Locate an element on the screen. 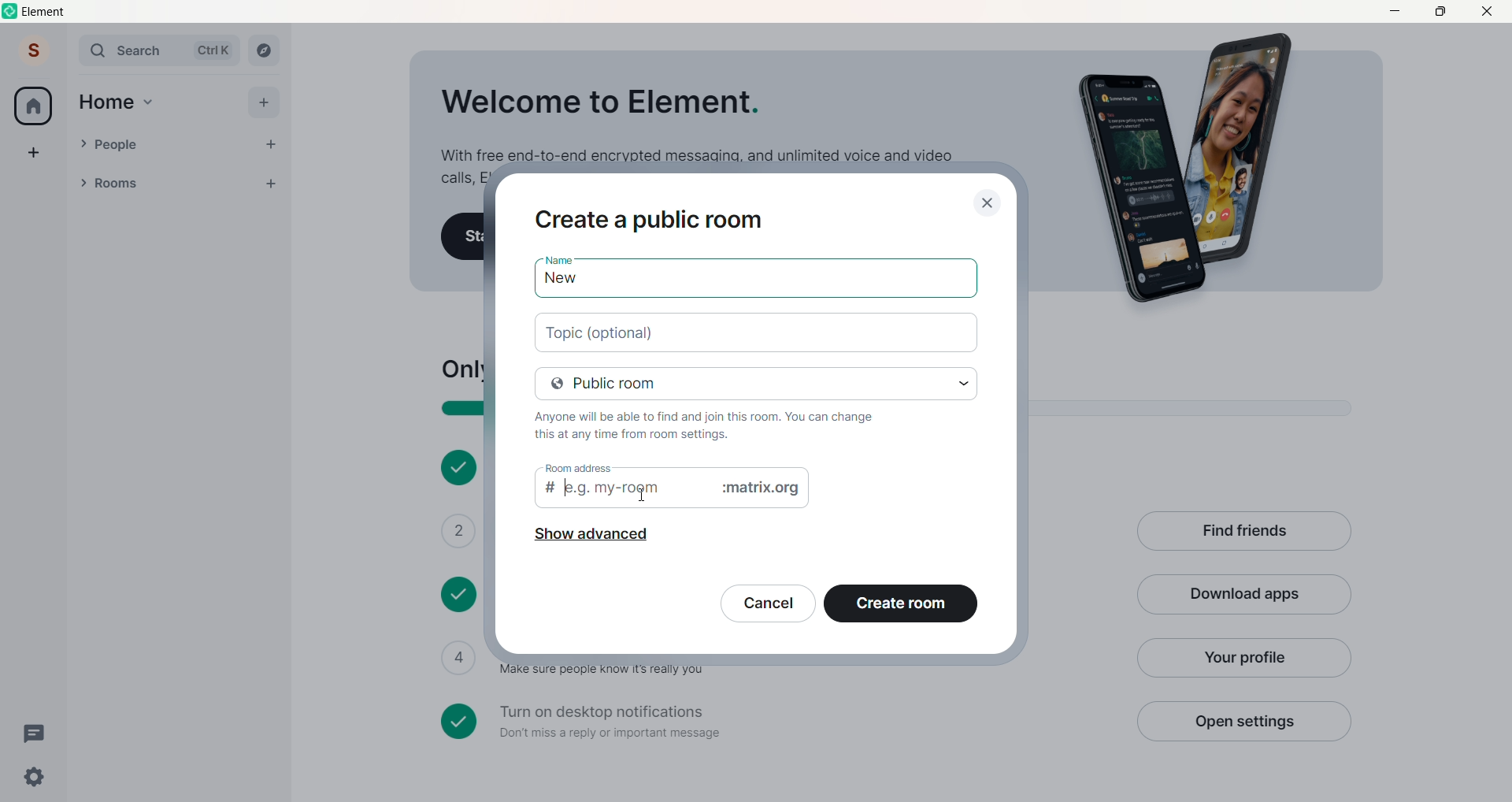  Only people invited will be able to find and join this room. You can
change this at any time from room settings. is located at coordinates (715, 425).